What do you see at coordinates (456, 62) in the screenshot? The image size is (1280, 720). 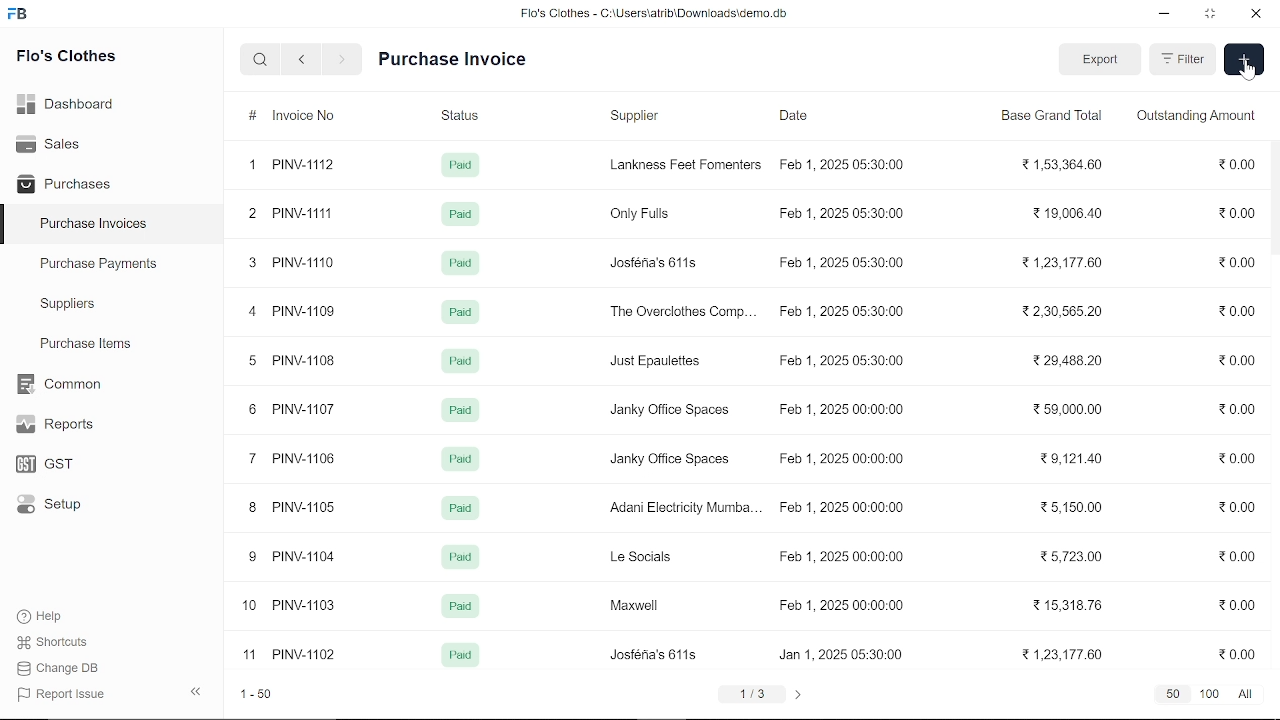 I see `Purchase Invoice` at bounding box center [456, 62].